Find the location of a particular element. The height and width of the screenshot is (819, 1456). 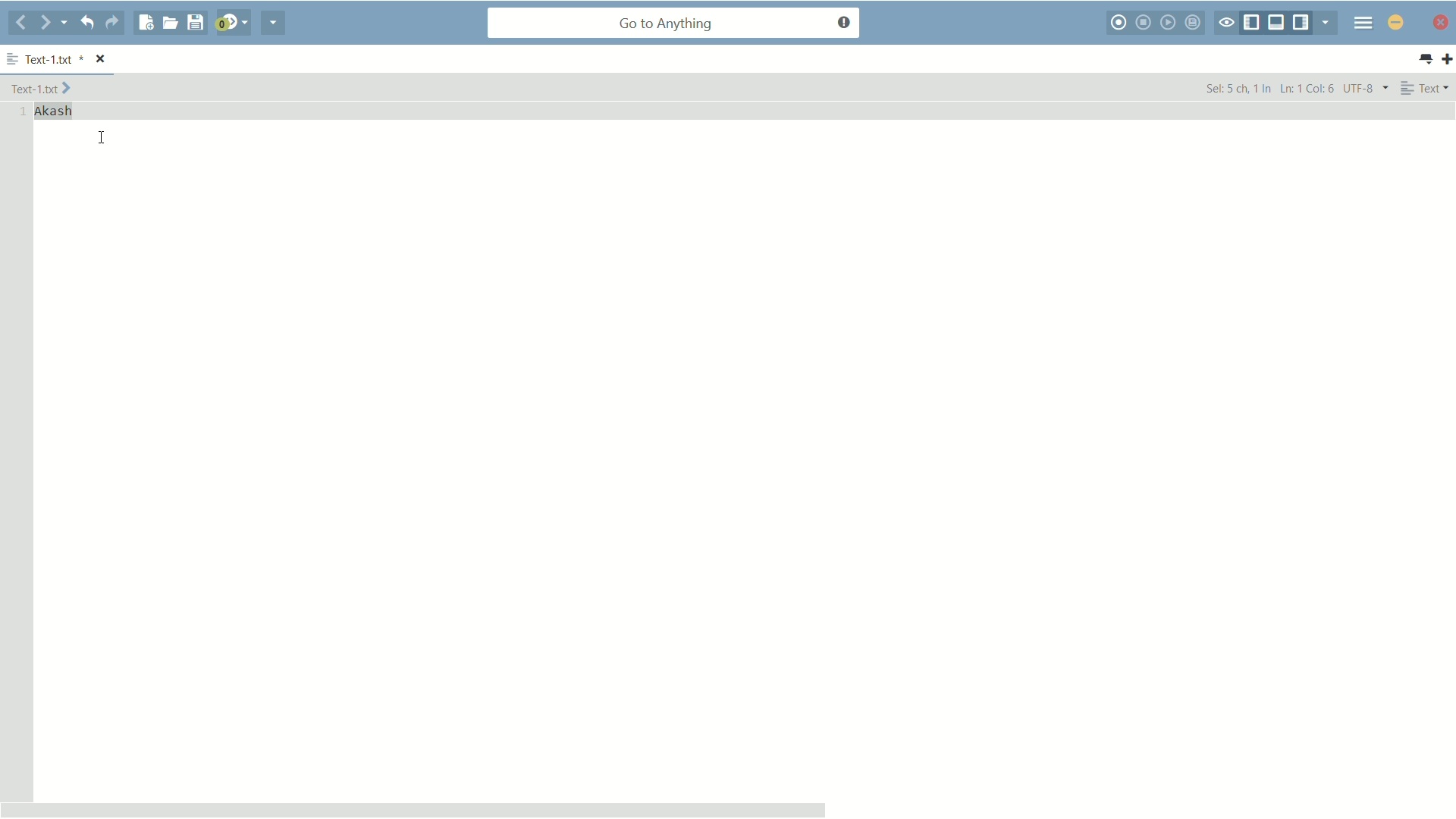

line number is located at coordinates (20, 112).